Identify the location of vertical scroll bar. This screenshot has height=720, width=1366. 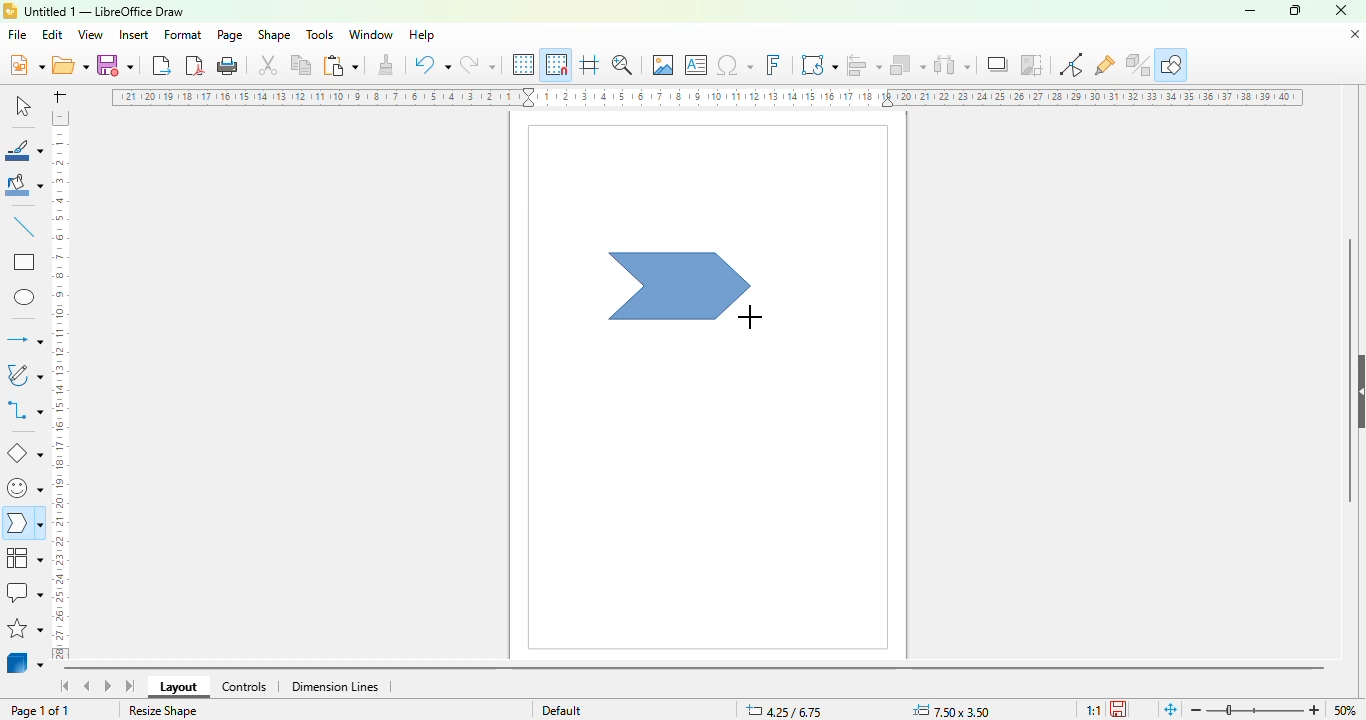
(1350, 371).